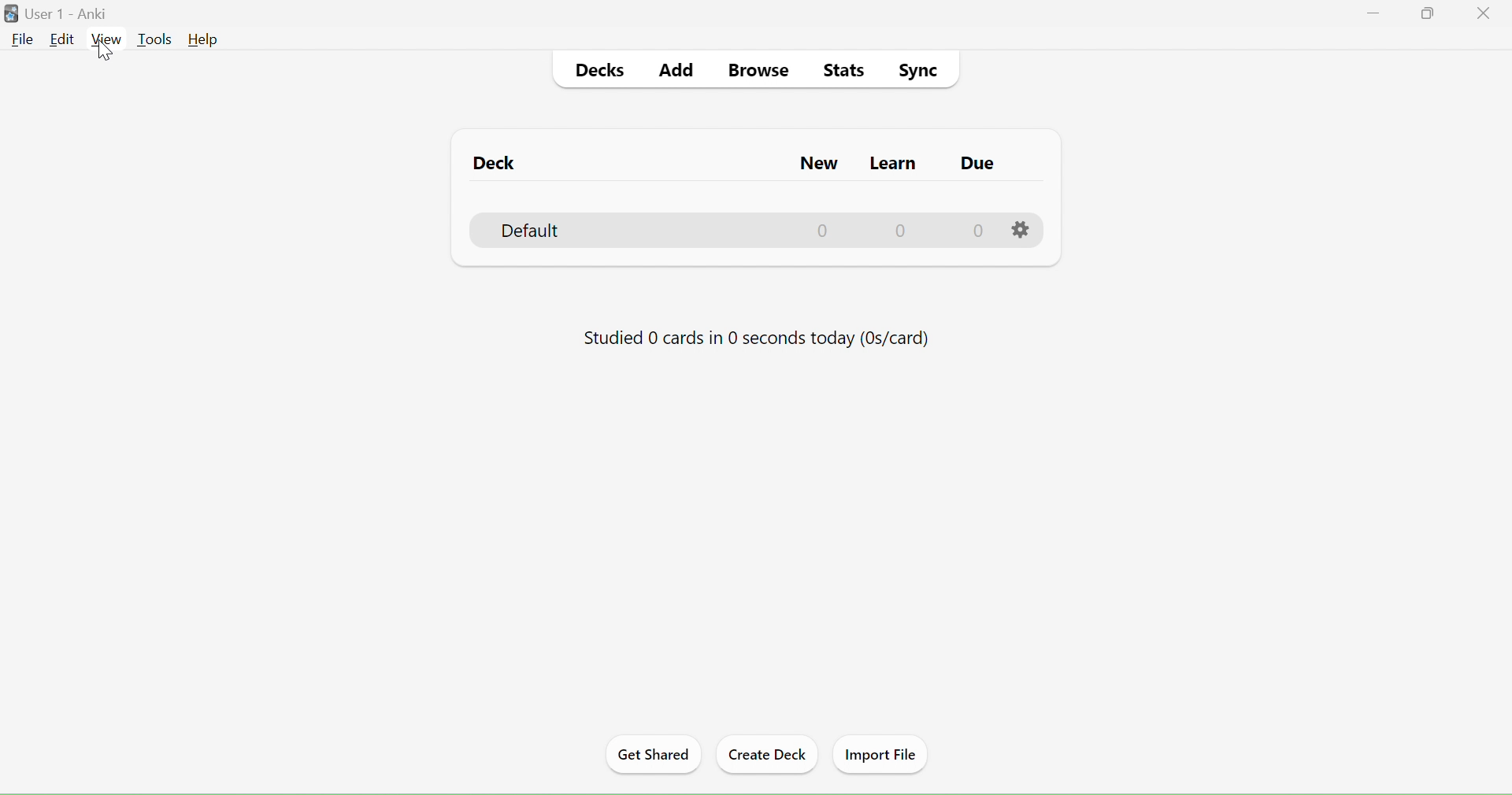 This screenshot has height=795, width=1512. What do you see at coordinates (1374, 13) in the screenshot?
I see `minimize` at bounding box center [1374, 13].